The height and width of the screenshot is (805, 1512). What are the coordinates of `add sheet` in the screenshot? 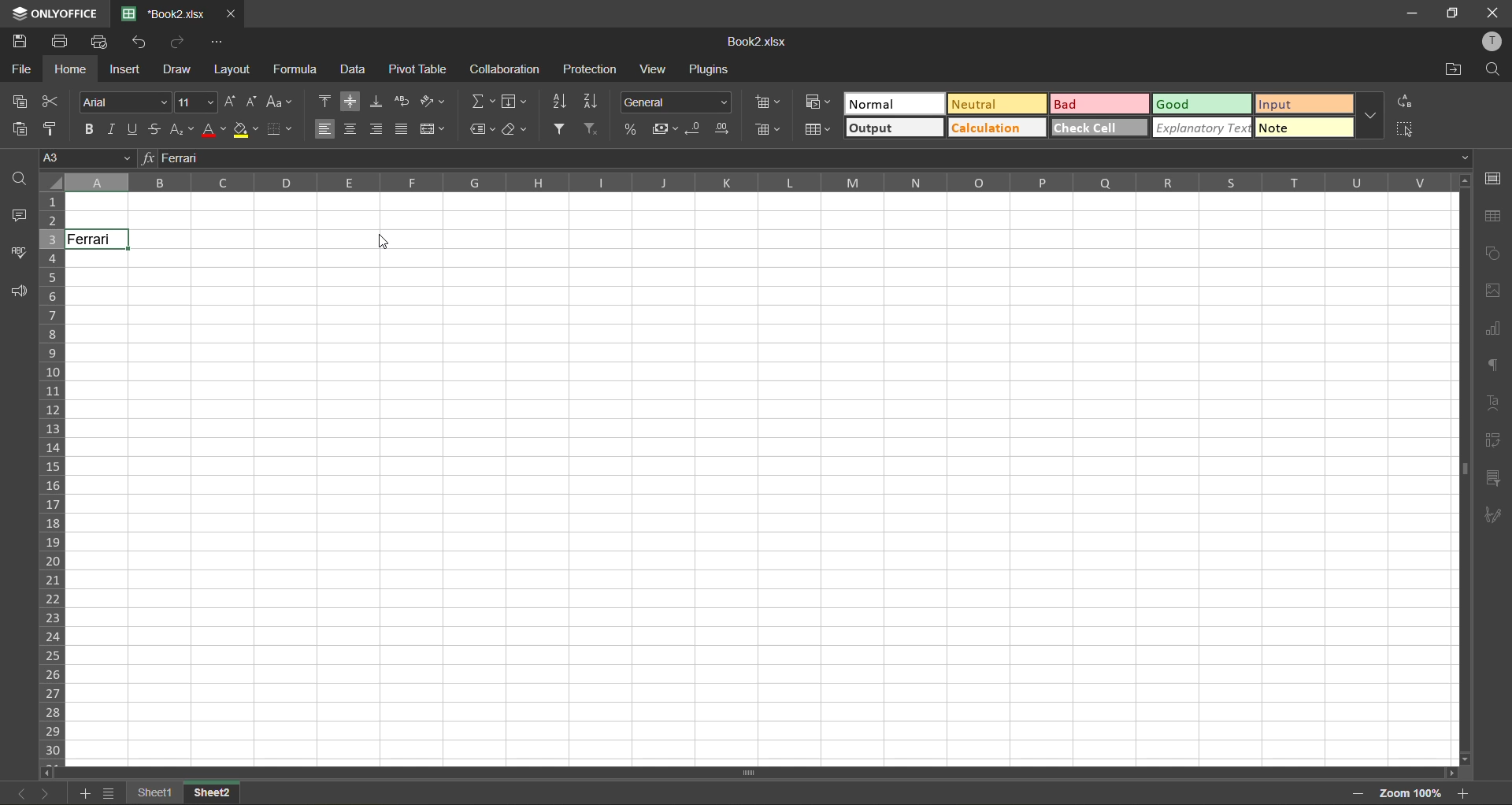 It's located at (82, 794).